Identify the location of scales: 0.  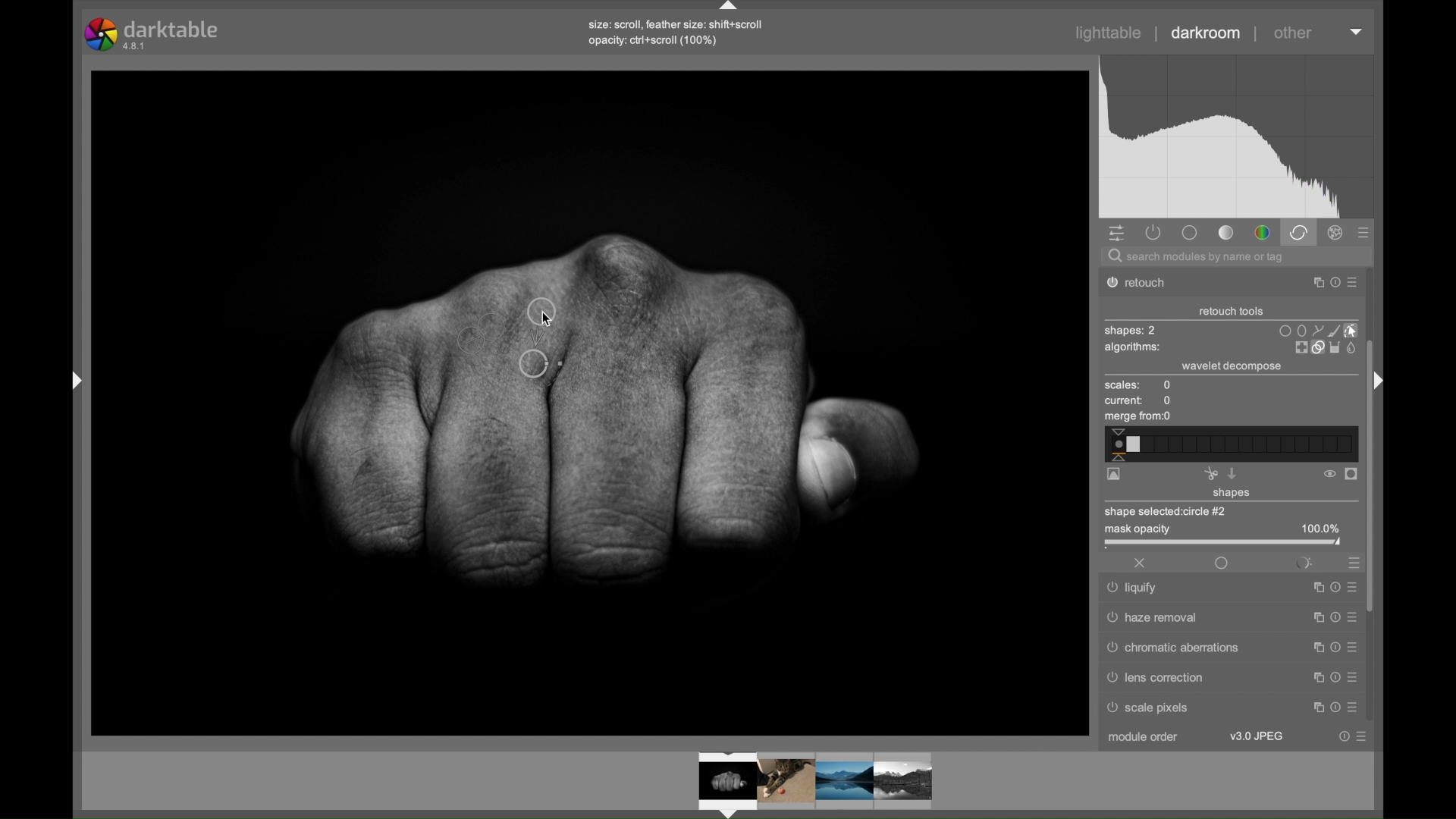
(1138, 386).